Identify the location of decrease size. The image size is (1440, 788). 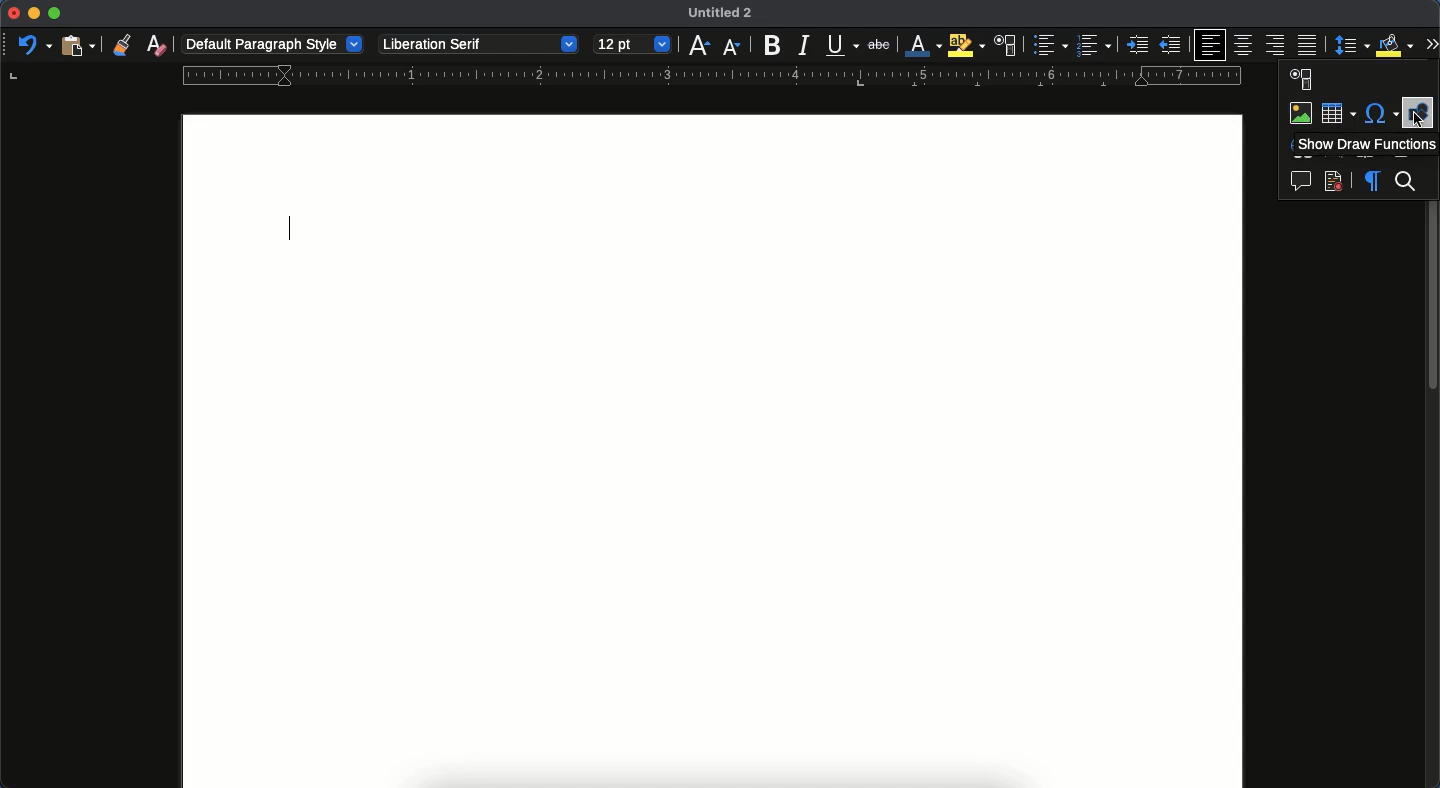
(732, 46).